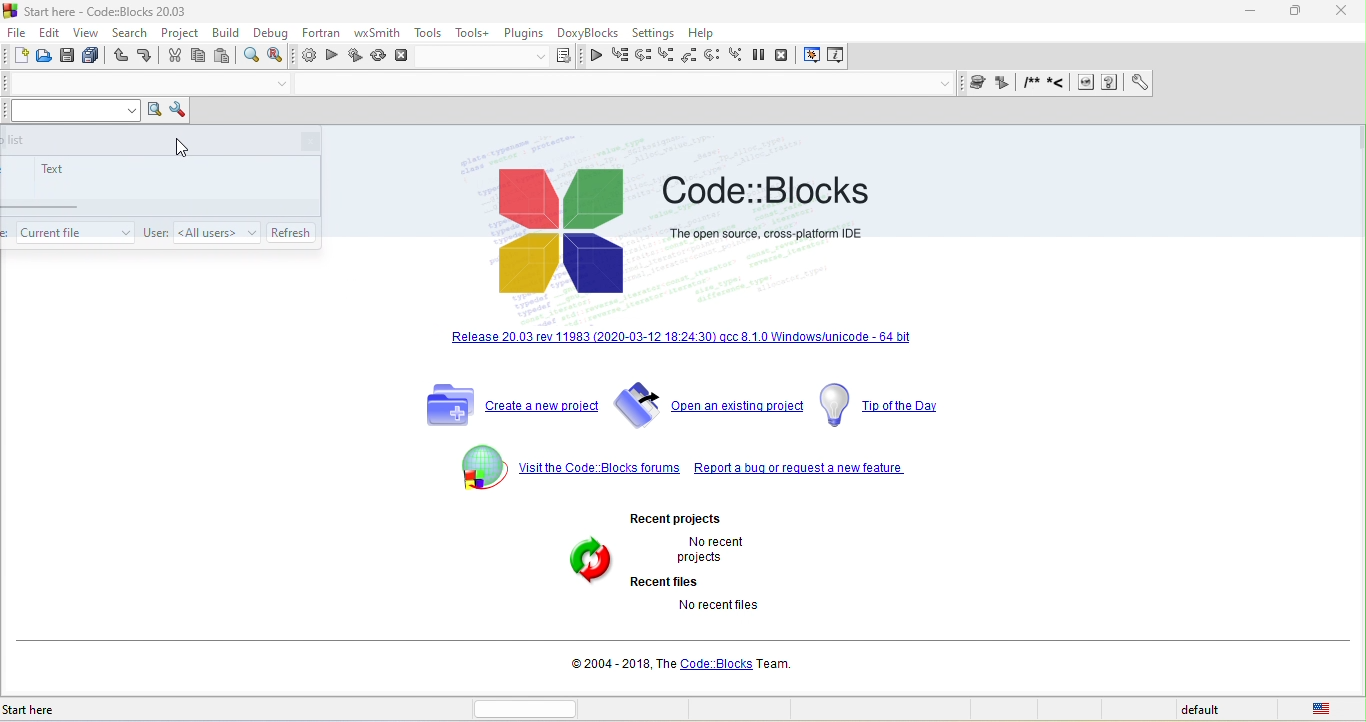  I want to click on run chm, so click(1112, 83).